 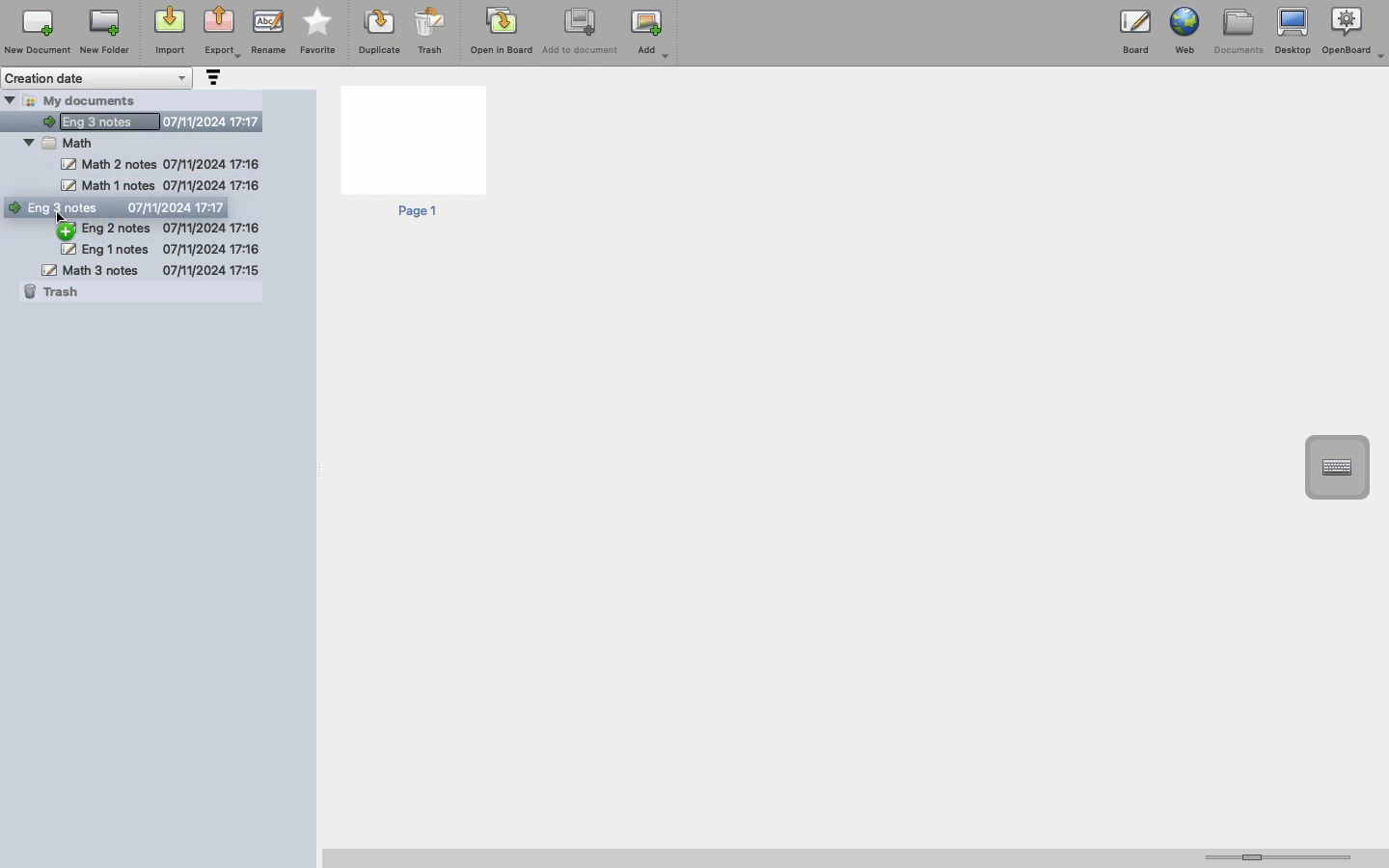 I want to click on Eng 3 notes 07/11/2024 17117, so click(x=128, y=208).